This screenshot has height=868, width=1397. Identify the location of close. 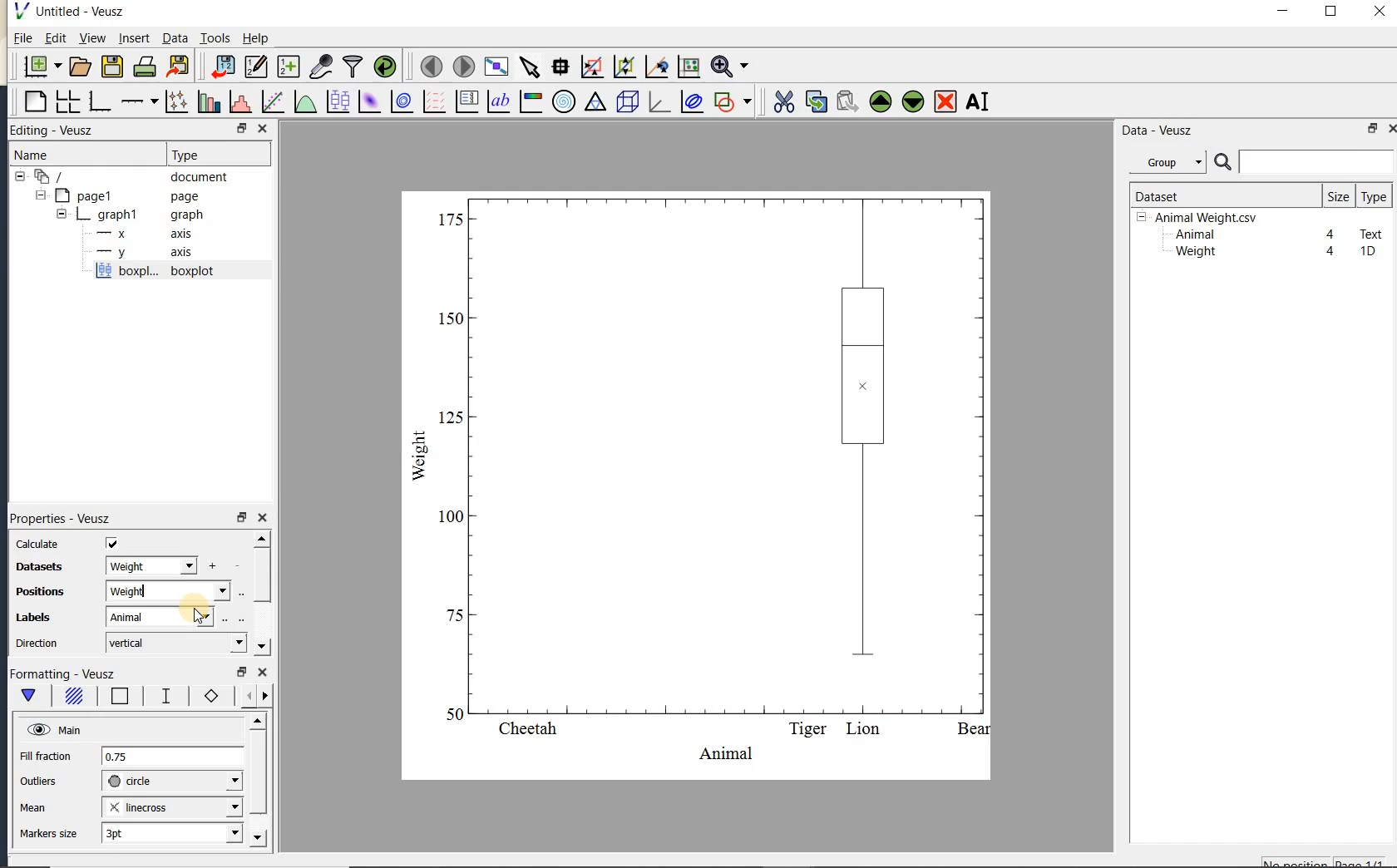
(1391, 129).